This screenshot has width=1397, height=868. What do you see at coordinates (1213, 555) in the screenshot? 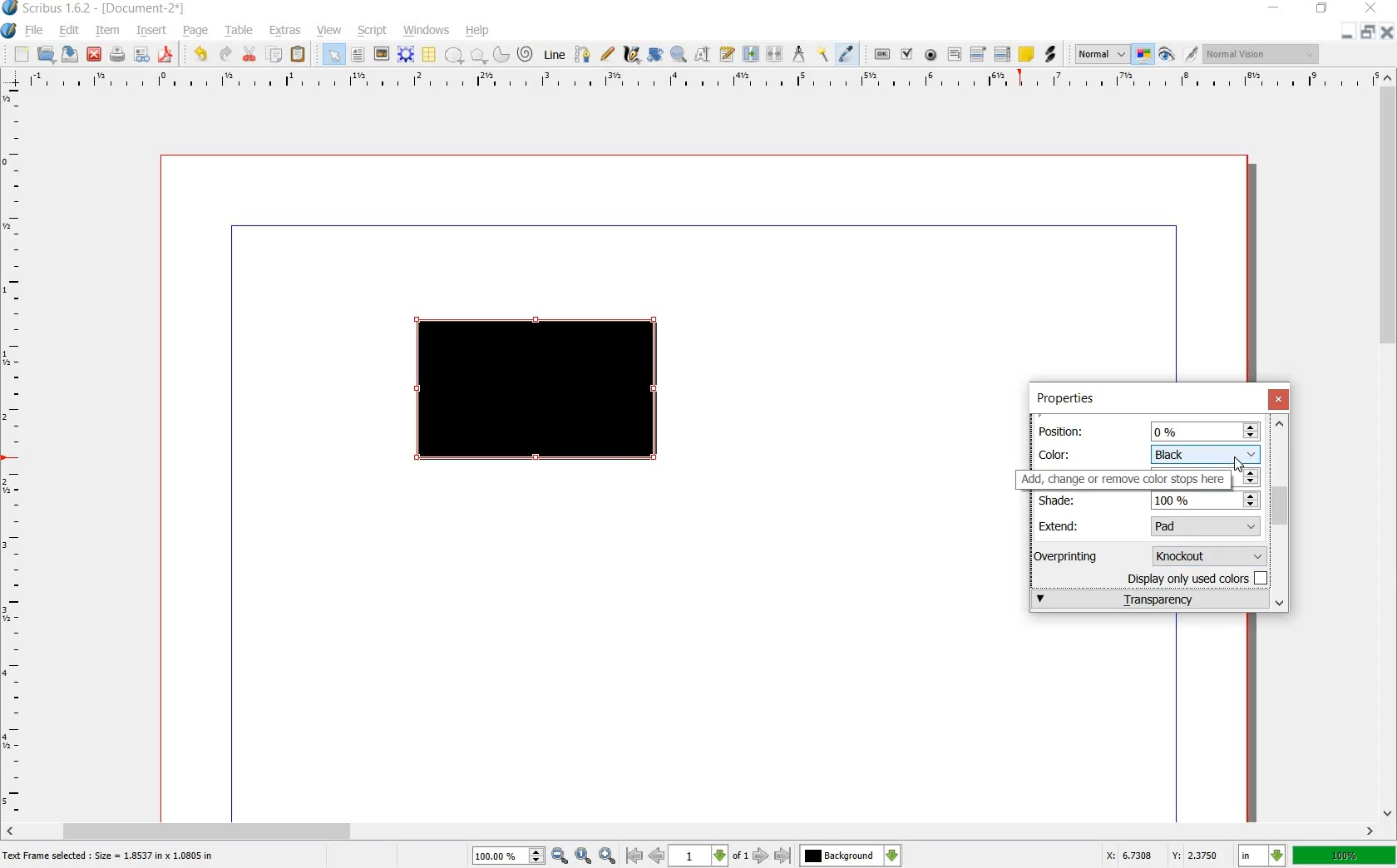
I see `Knockout ` at bounding box center [1213, 555].